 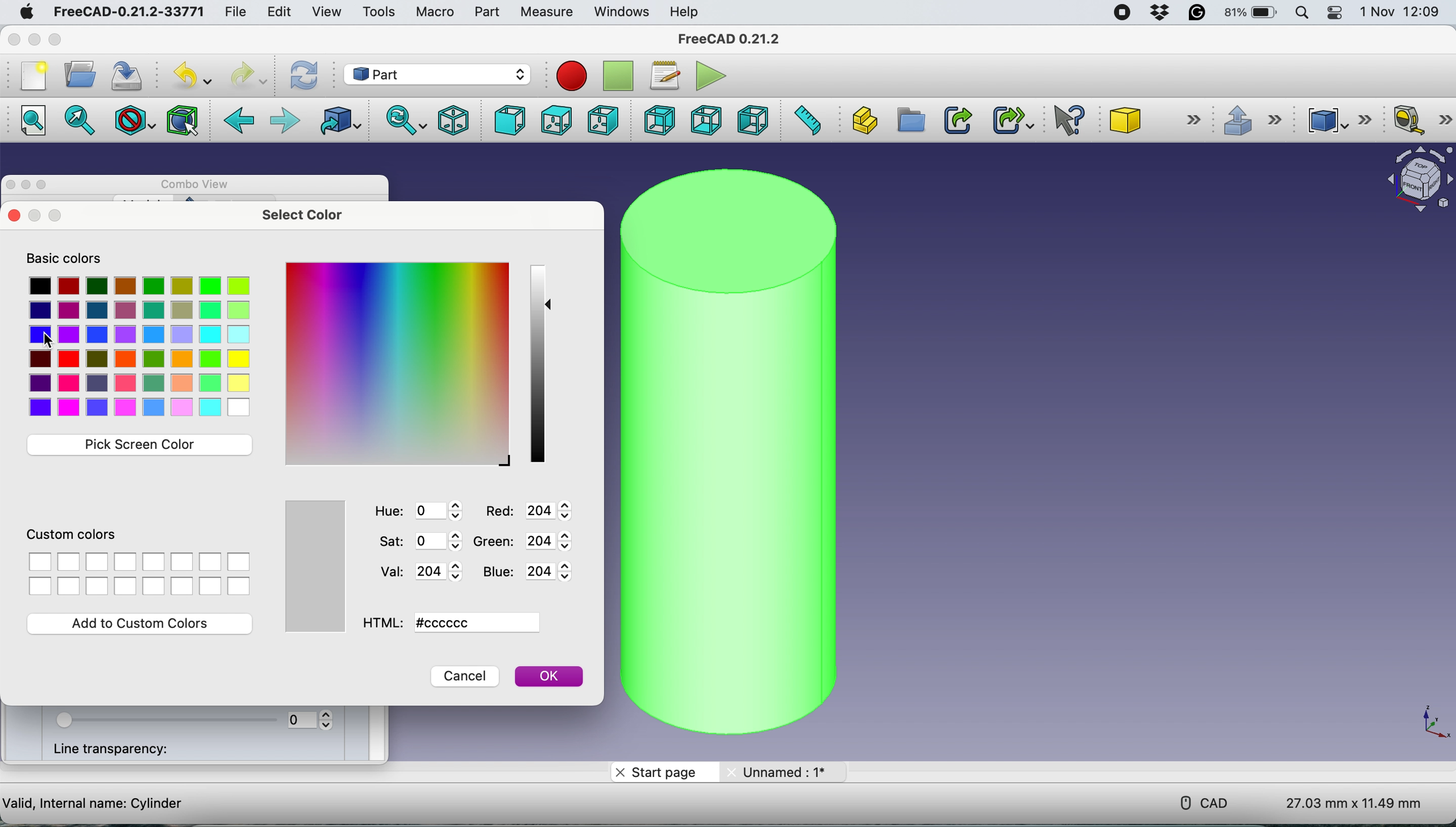 I want to click on custom color, so click(x=135, y=562).